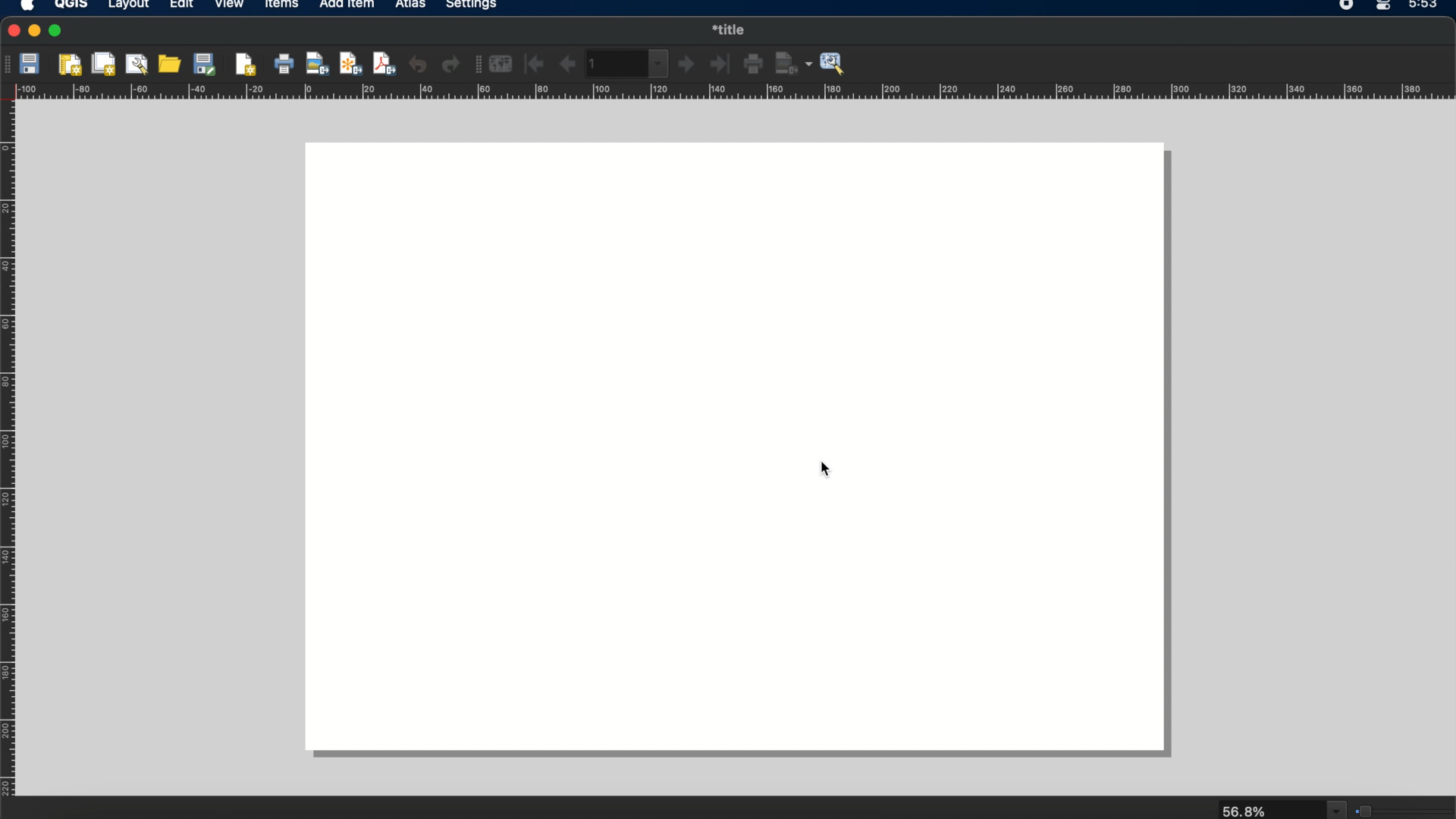 The image size is (1456, 819). What do you see at coordinates (349, 64) in the screenshot?
I see `export as svg` at bounding box center [349, 64].